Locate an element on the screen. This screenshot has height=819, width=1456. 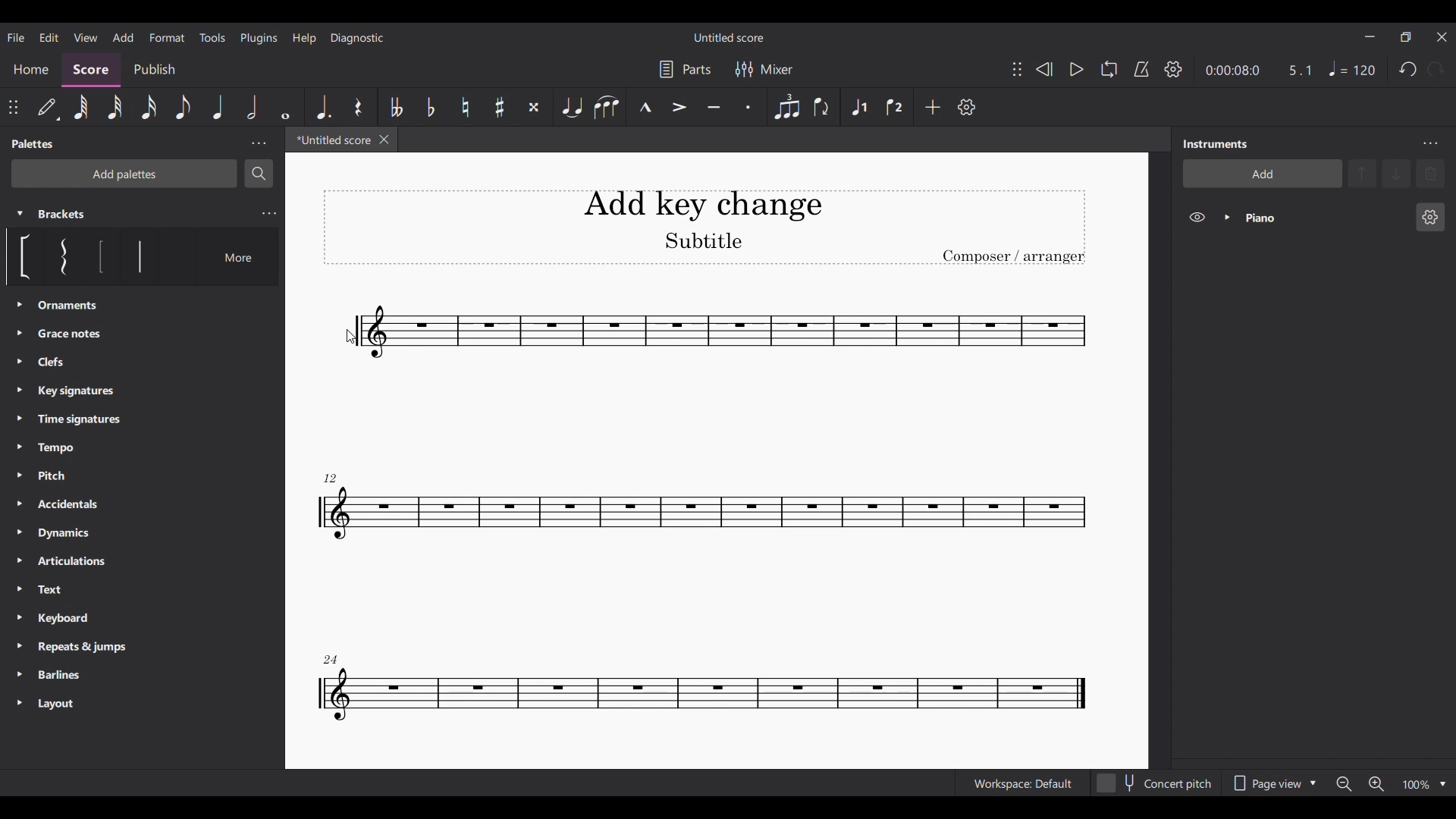
Toggle for concert pitch is located at coordinates (1154, 783).